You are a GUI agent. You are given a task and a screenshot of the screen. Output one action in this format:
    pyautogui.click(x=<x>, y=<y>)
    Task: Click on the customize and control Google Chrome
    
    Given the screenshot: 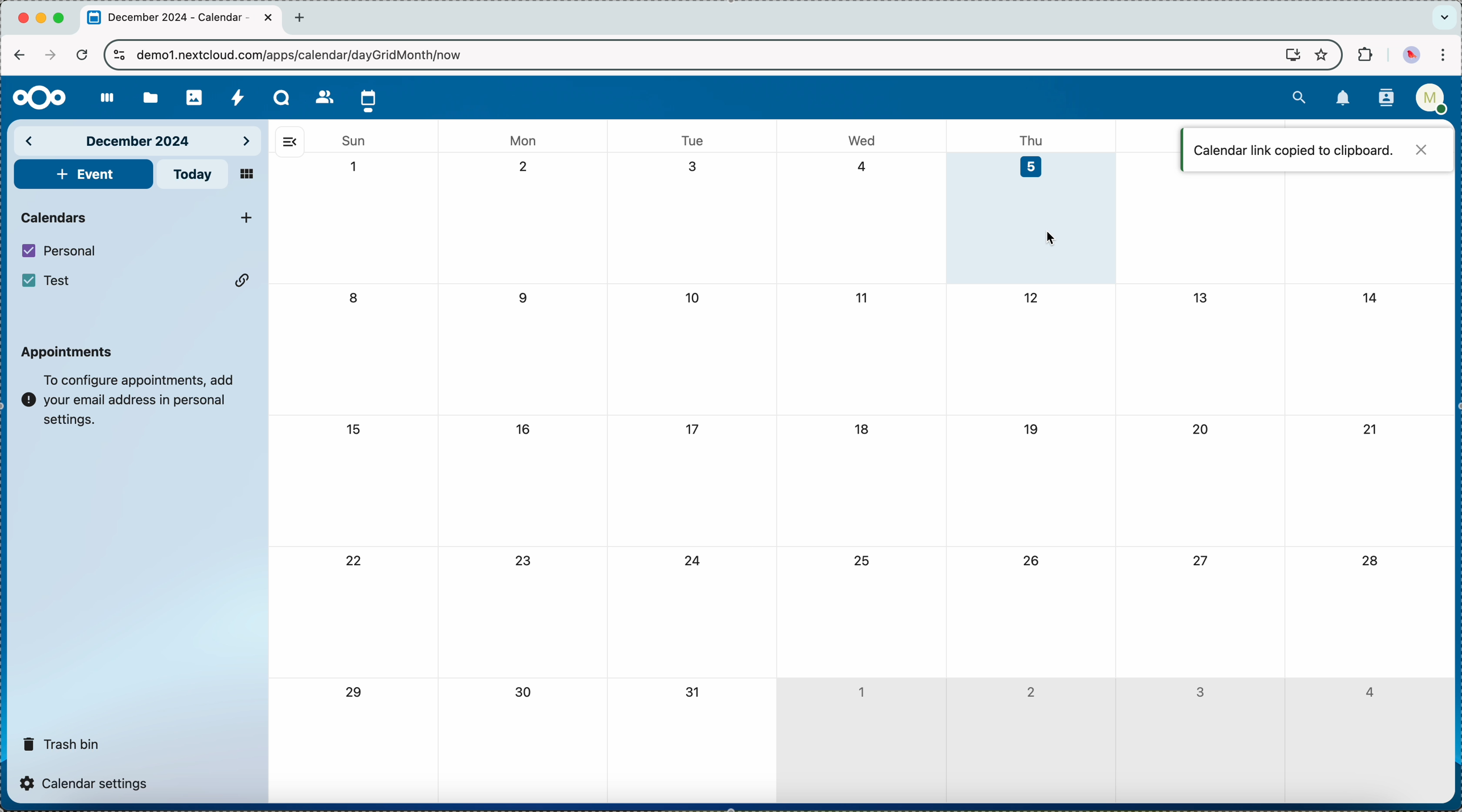 What is the action you would take?
    pyautogui.click(x=1447, y=56)
    